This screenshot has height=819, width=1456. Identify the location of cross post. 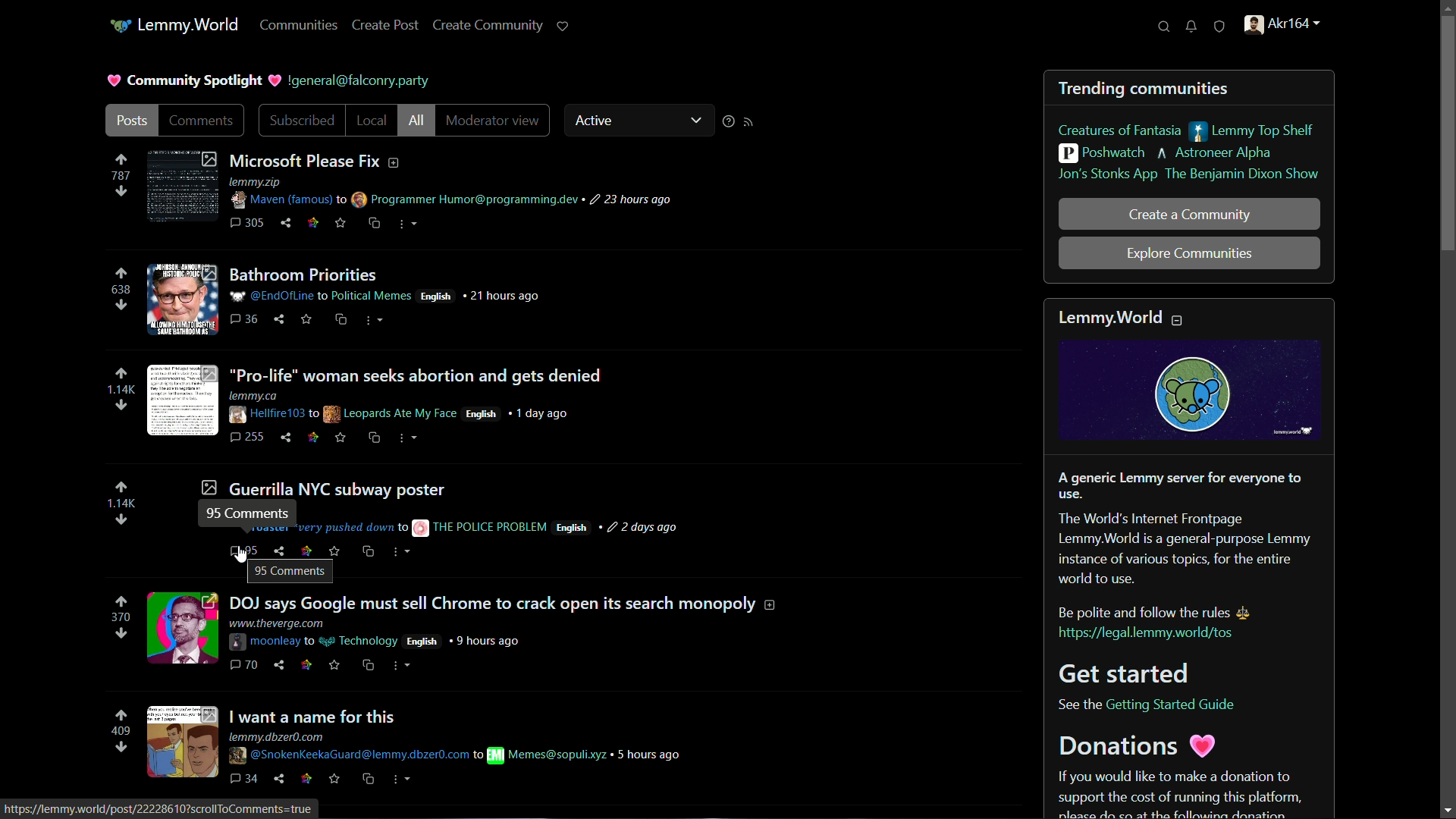
(372, 224).